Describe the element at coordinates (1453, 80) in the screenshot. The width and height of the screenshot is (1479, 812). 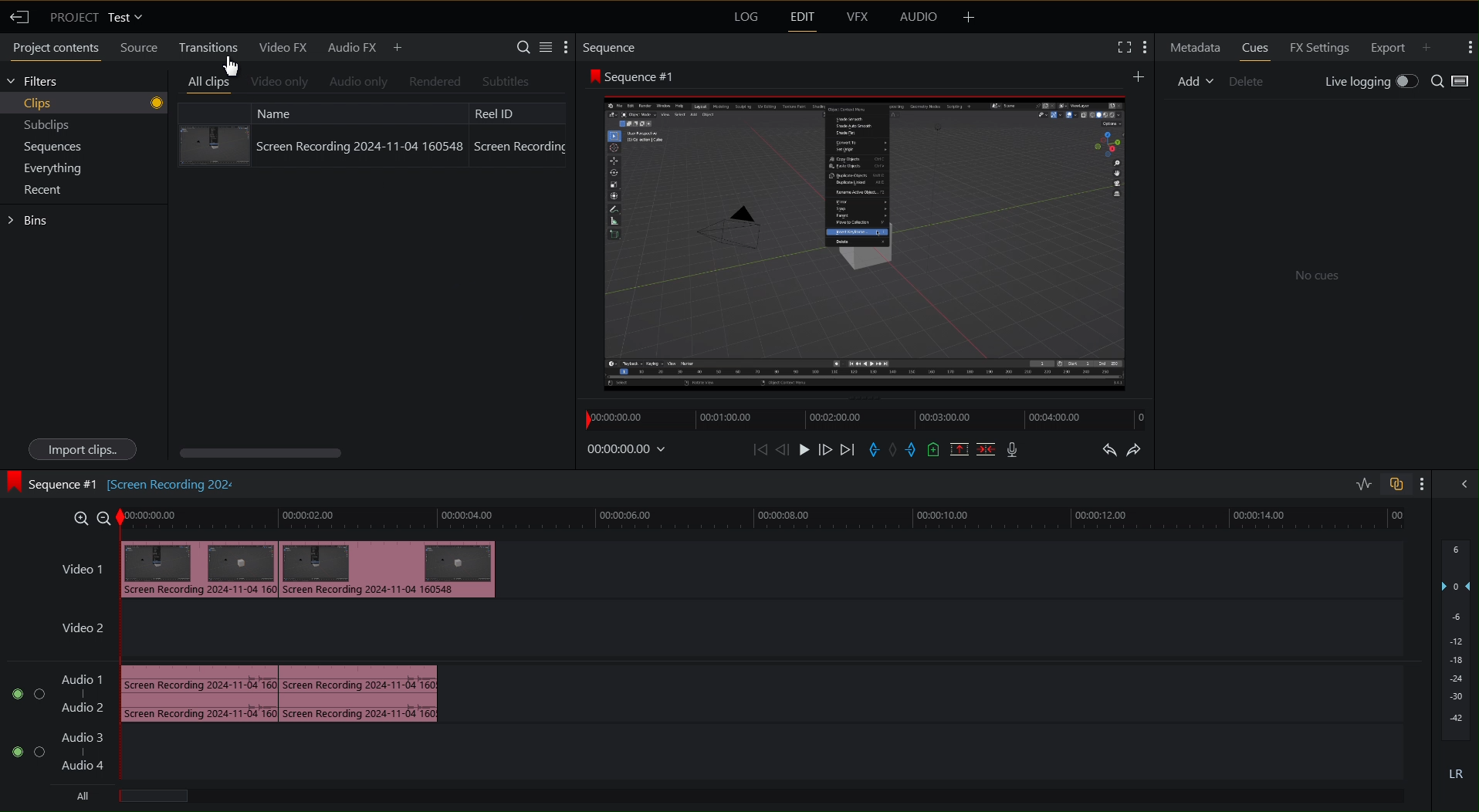
I see `Search` at that location.